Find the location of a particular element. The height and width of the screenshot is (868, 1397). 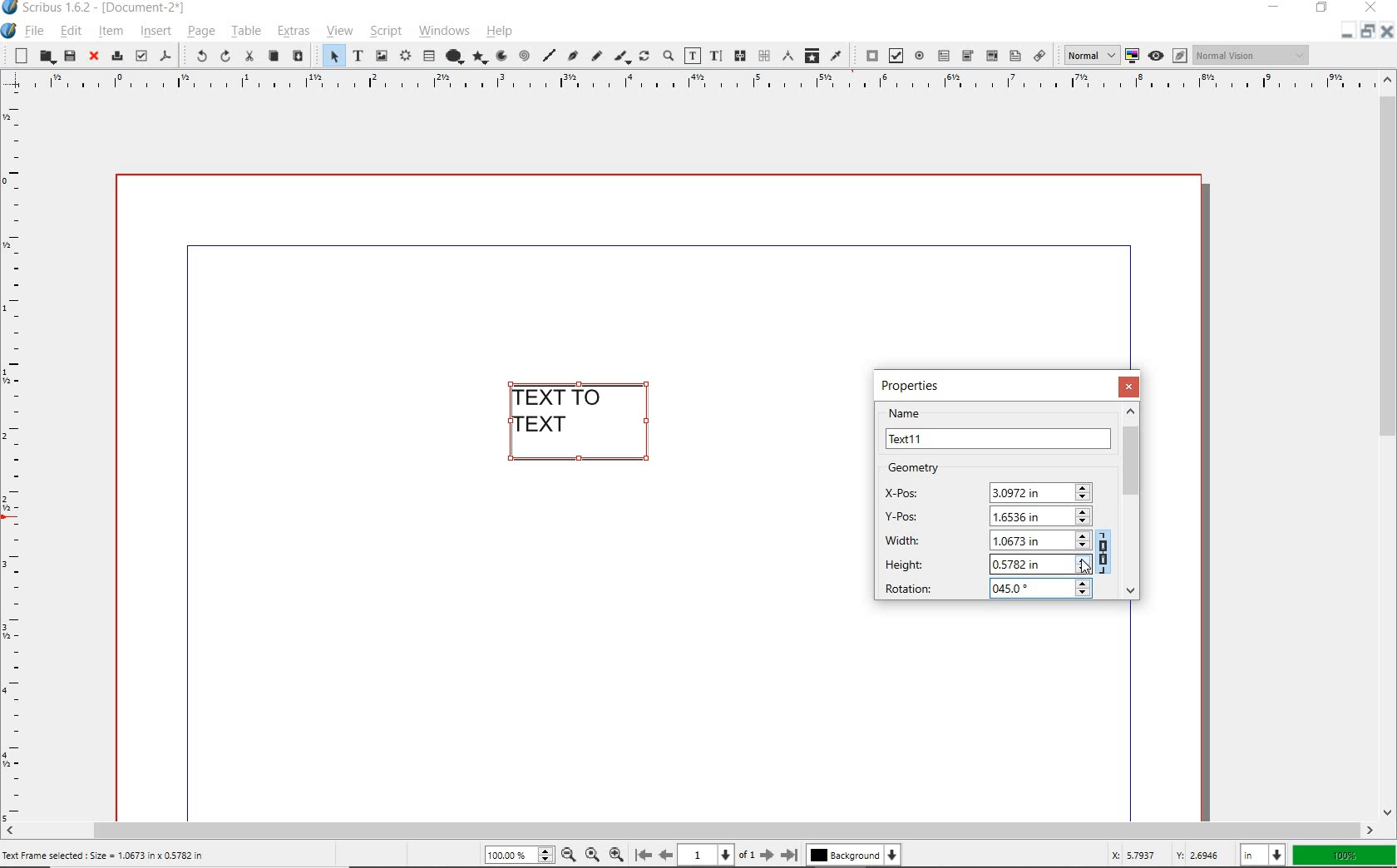

select image preview quality is located at coordinates (1088, 54).